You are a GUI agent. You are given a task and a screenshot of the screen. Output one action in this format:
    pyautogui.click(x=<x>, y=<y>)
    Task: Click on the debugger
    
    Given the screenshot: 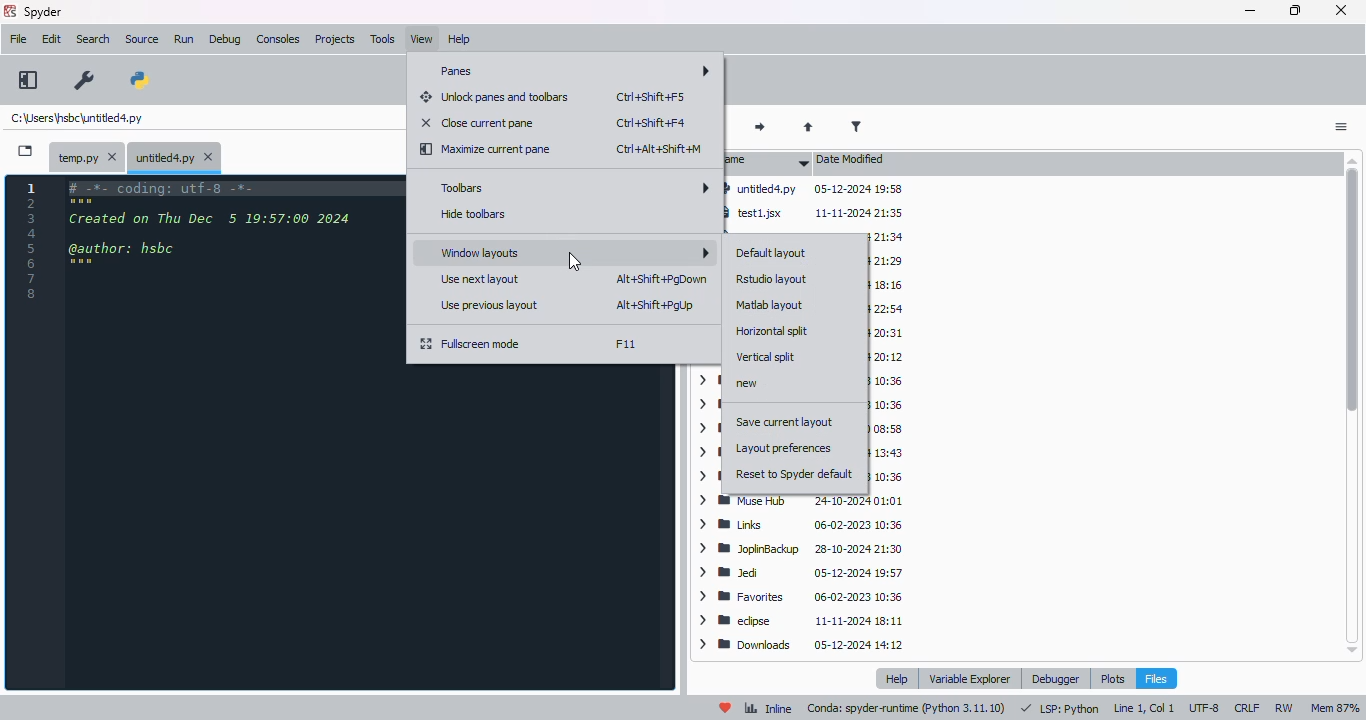 What is the action you would take?
    pyautogui.click(x=1055, y=679)
    